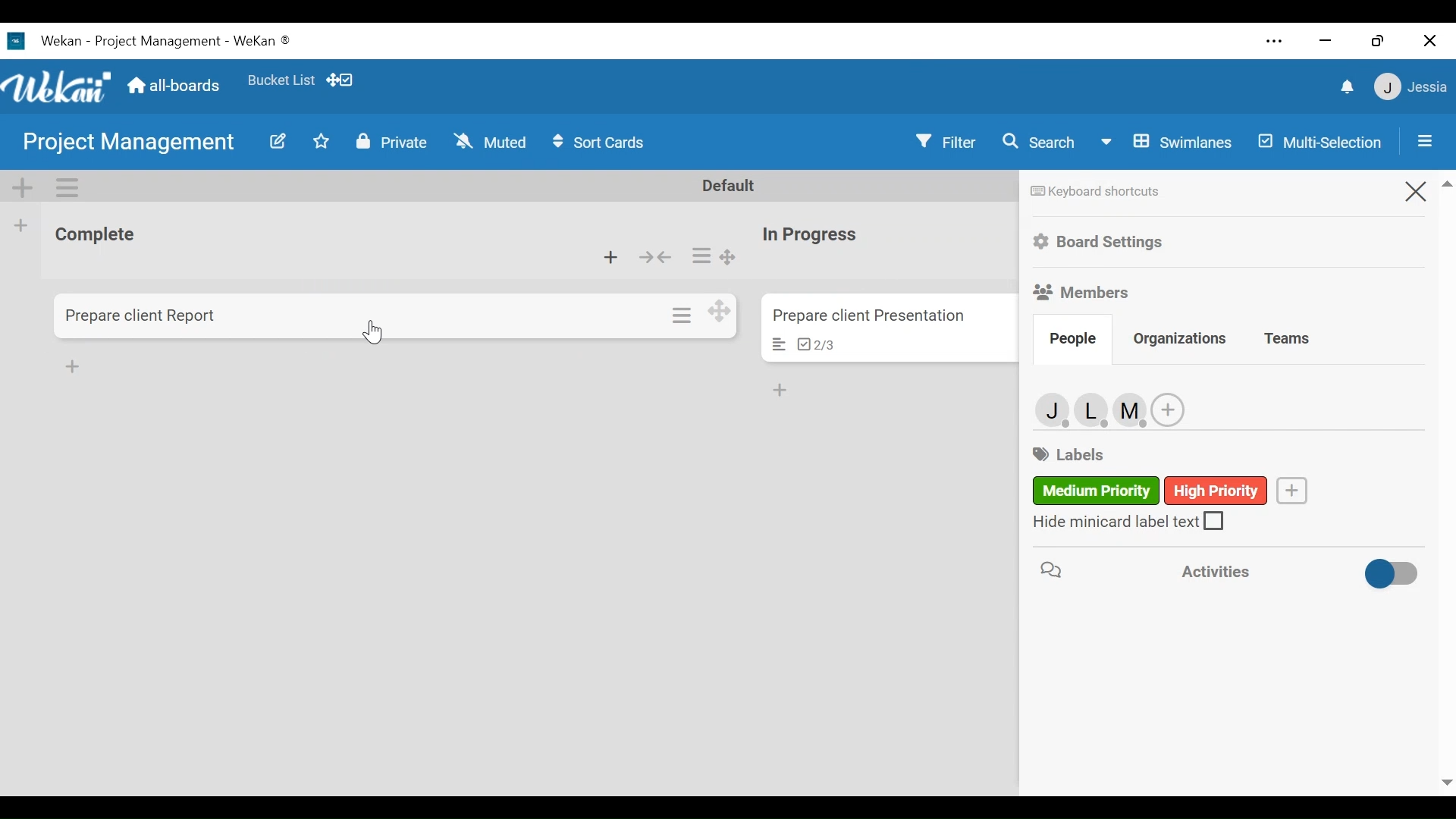 Image resolution: width=1456 pixels, height=819 pixels. What do you see at coordinates (657, 259) in the screenshot?
I see `Collapse` at bounding box center [657, 259].